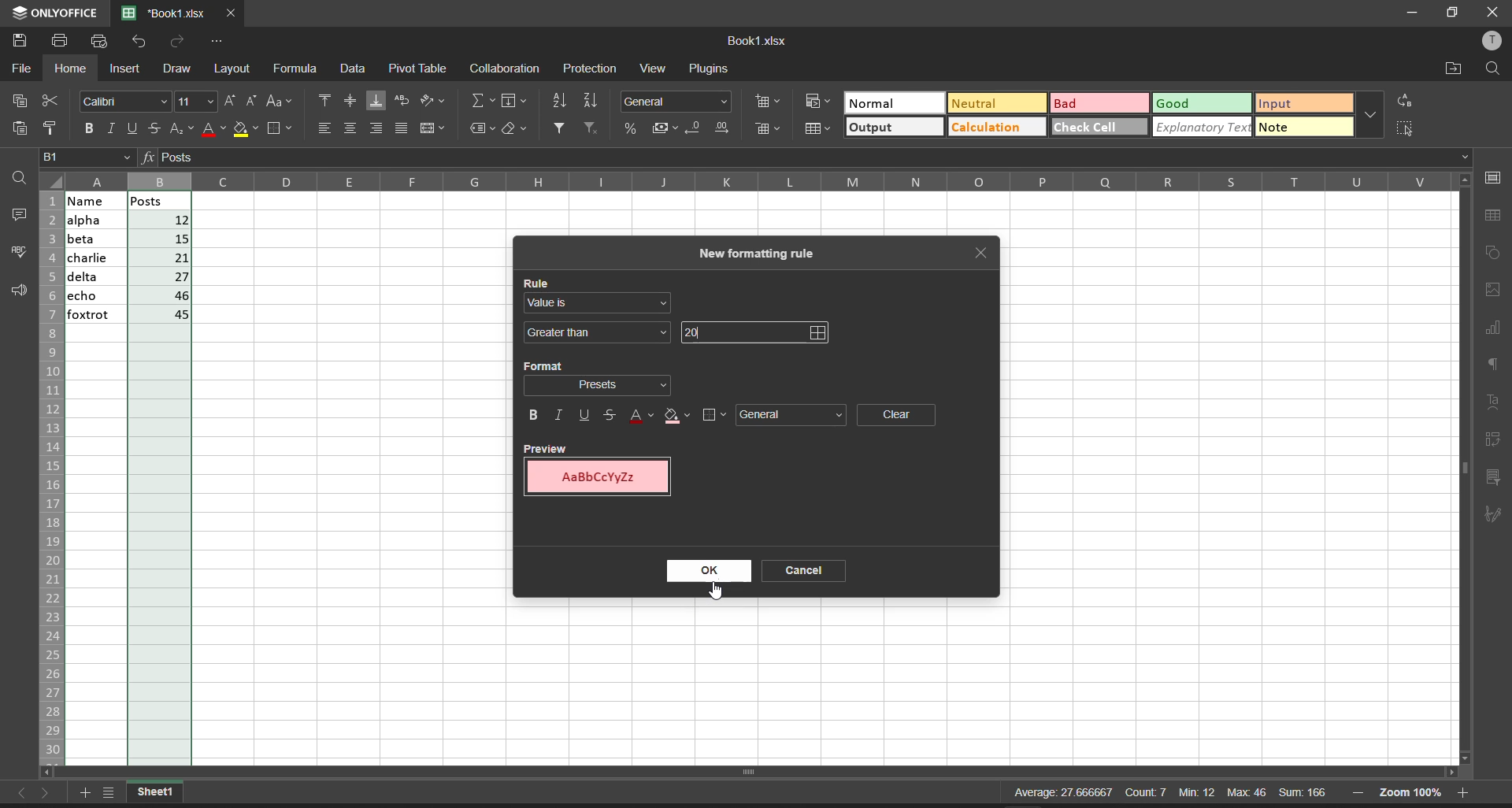 This screenshot has width=1512, height=808. I want to click on explanatory text, so click(1203, 128).